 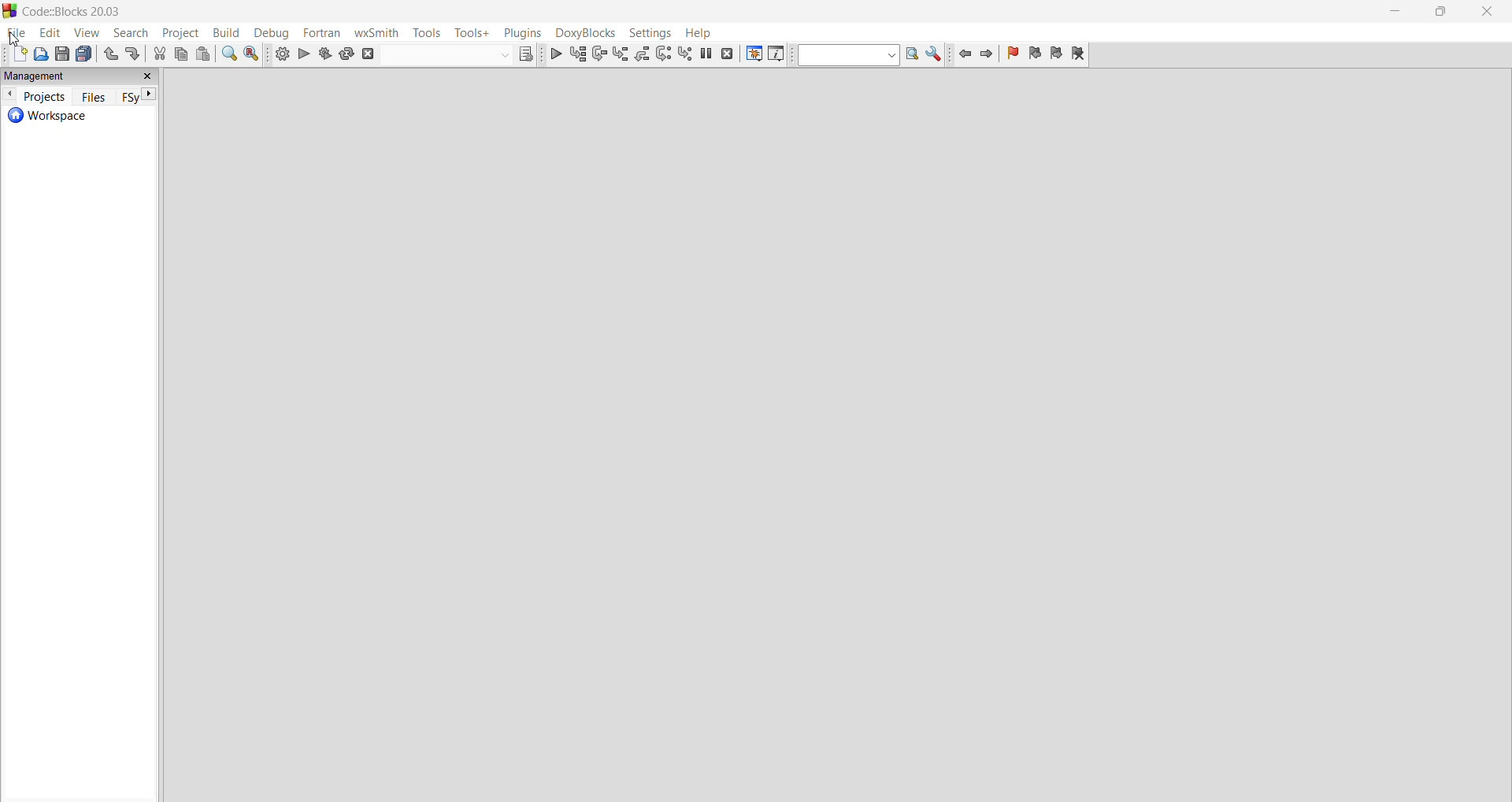 What do you see at coordinates (428, 32) in the screenshot?
I see `tools` at bounding box center [428, 32].